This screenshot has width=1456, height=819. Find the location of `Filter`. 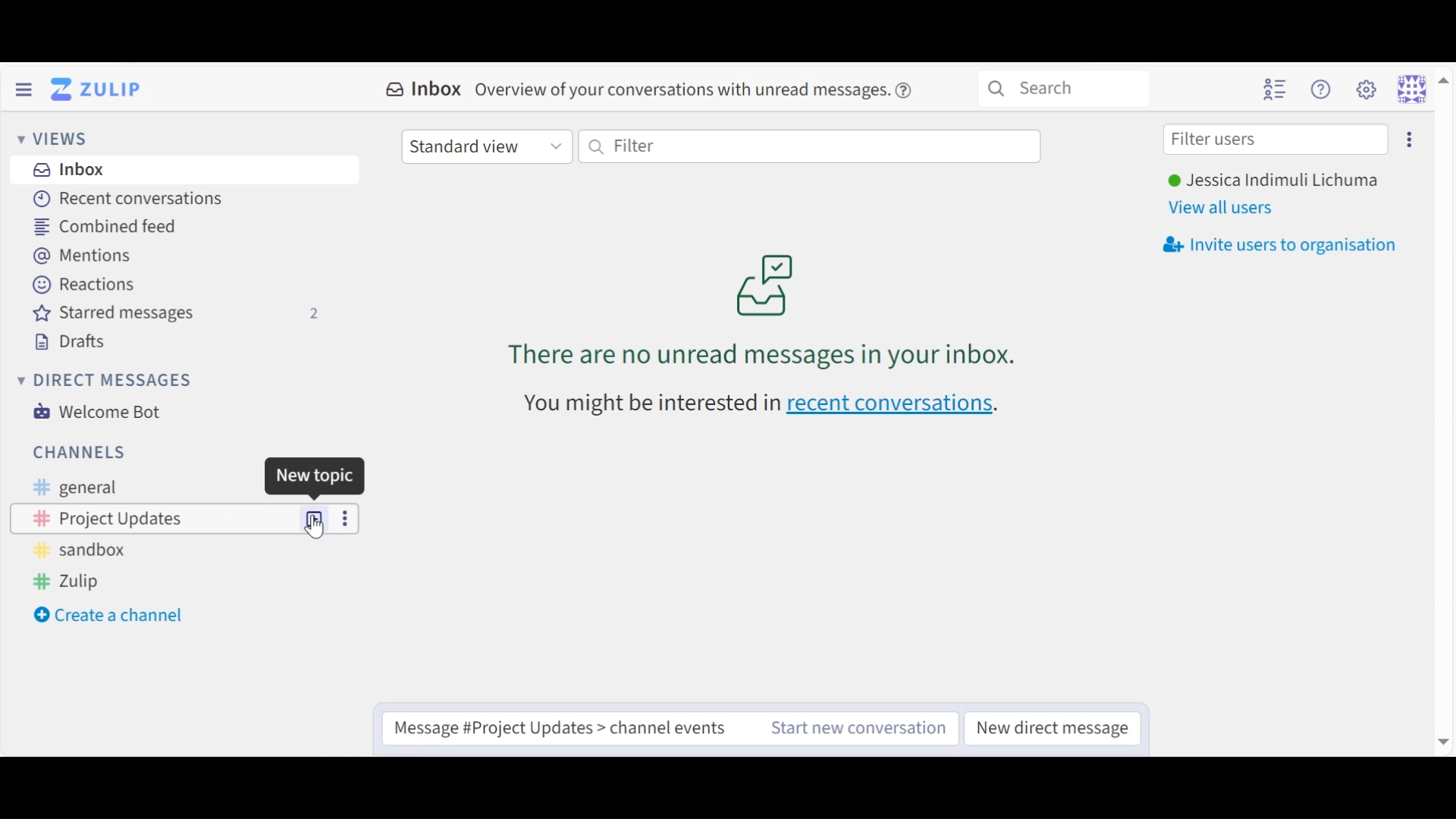

Filter is located at coordinates (809, 146).